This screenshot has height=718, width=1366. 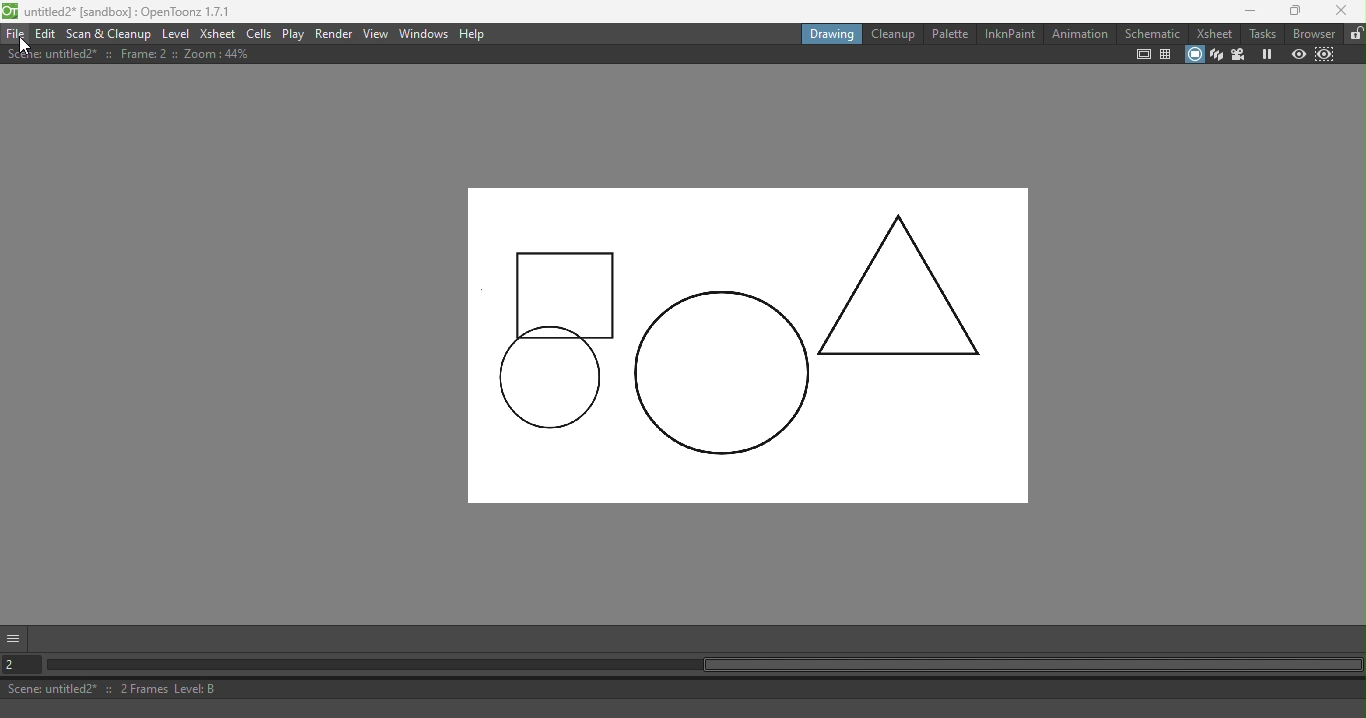 What do you see at coordinates (25, 45) in the screenshot?
I see `Cursor` at bounding box center [25, 45].